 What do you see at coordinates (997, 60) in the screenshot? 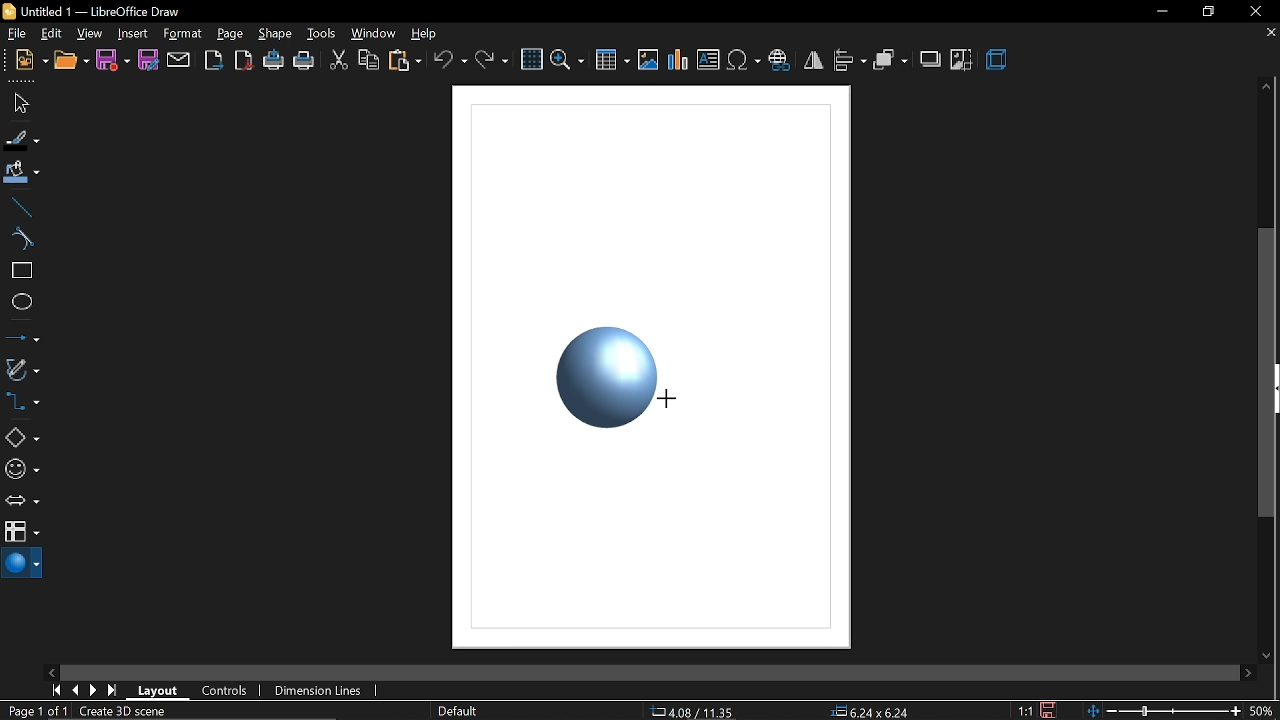
I see `3d effects` at bounding box center [997, 60].